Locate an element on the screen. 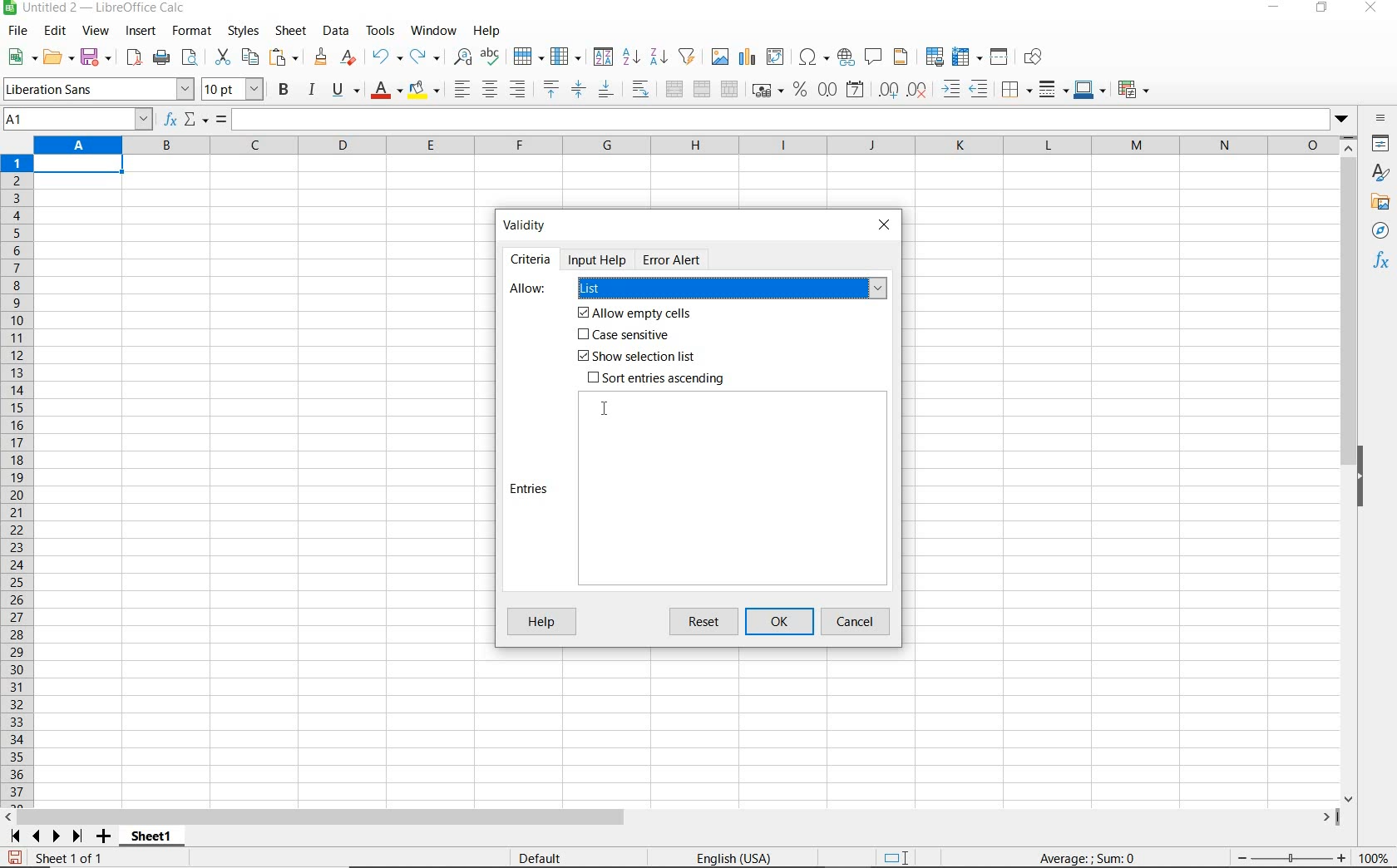  standard selection is located at coordinates (897, 859).